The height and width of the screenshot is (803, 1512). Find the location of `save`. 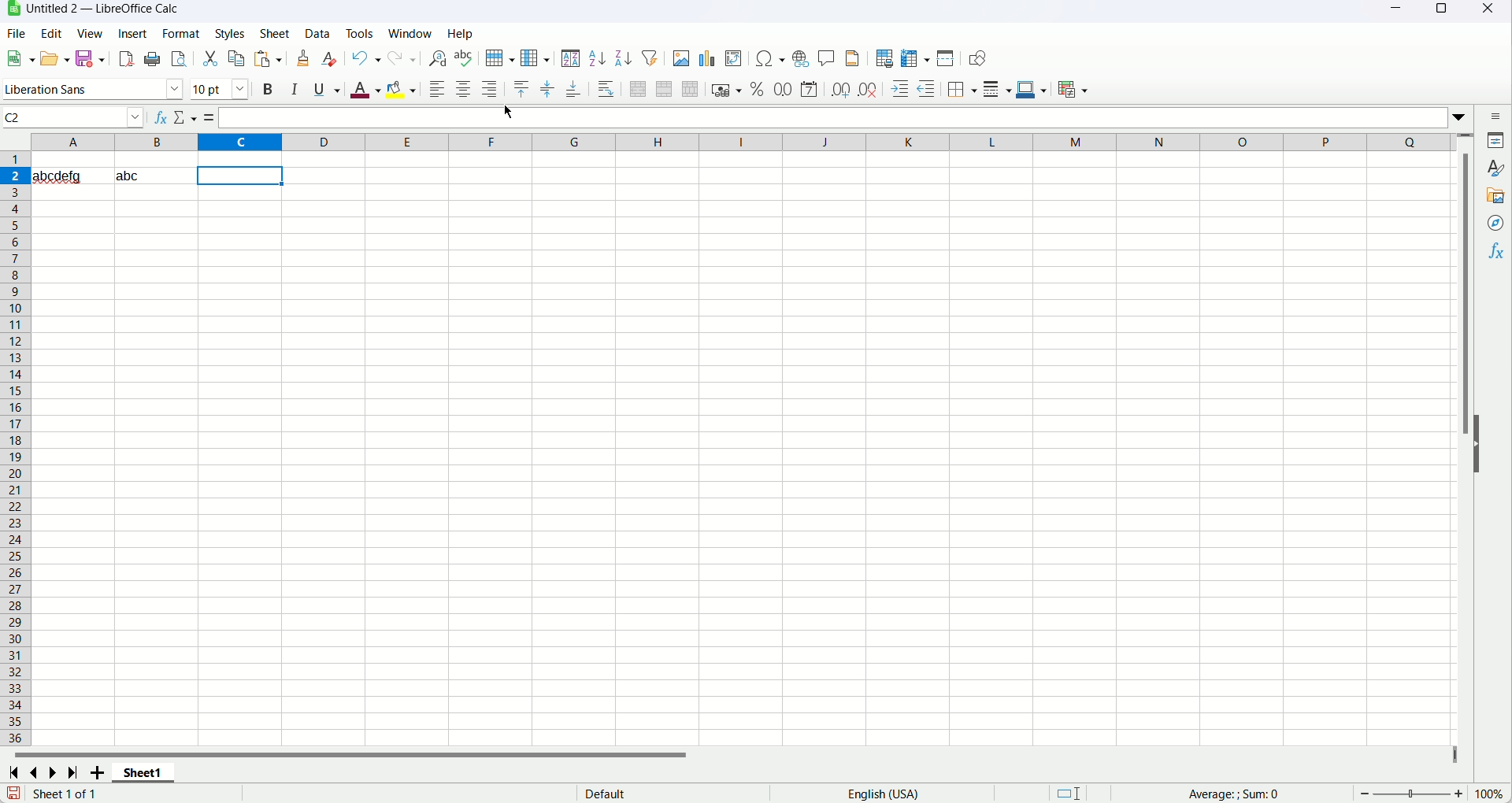

save is located at coordinates (91, 58).